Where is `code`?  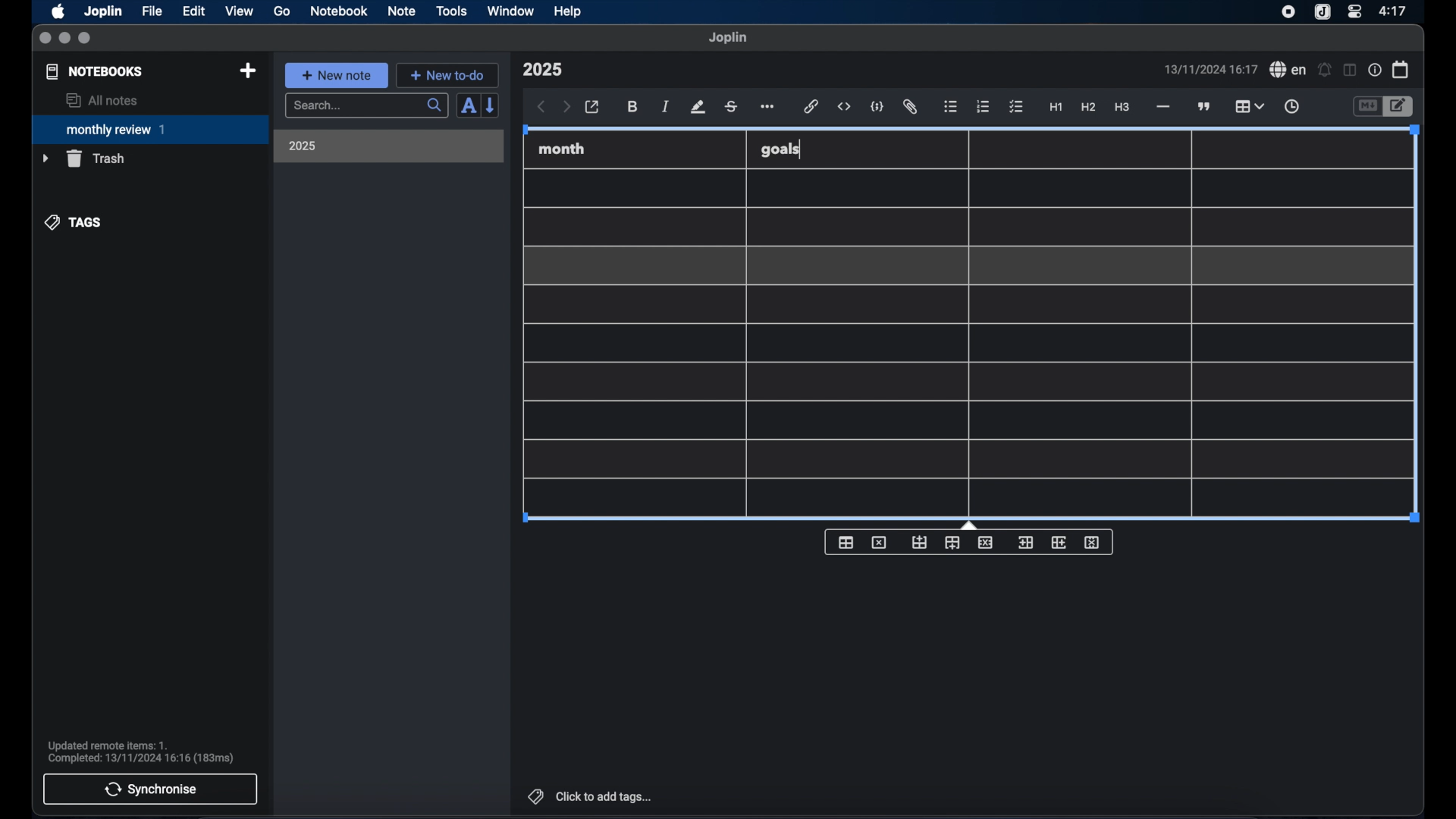
code is located at coordinates (877, 108).